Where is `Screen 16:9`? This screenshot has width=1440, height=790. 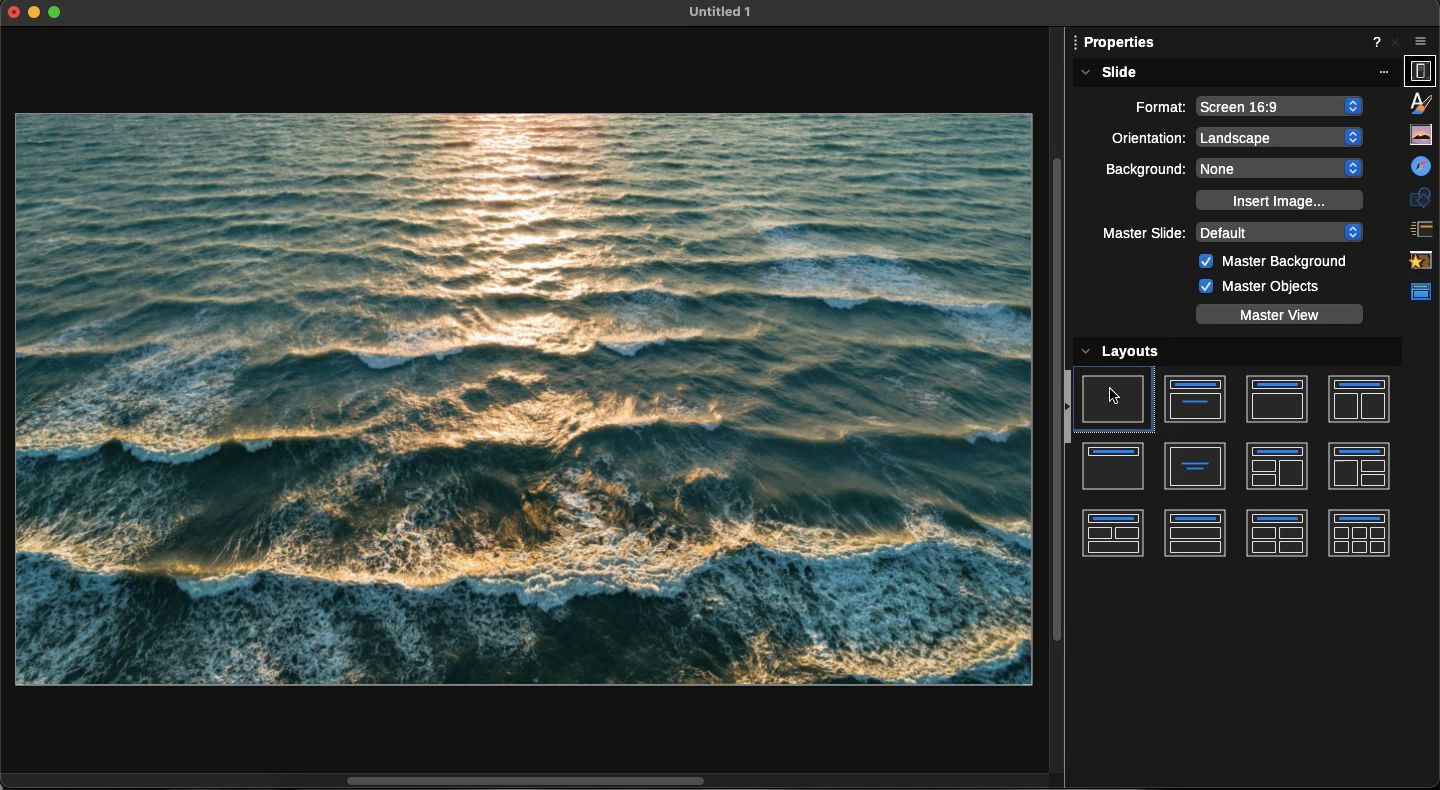
Screen 16:9 is located at coordinates (1280, 107).